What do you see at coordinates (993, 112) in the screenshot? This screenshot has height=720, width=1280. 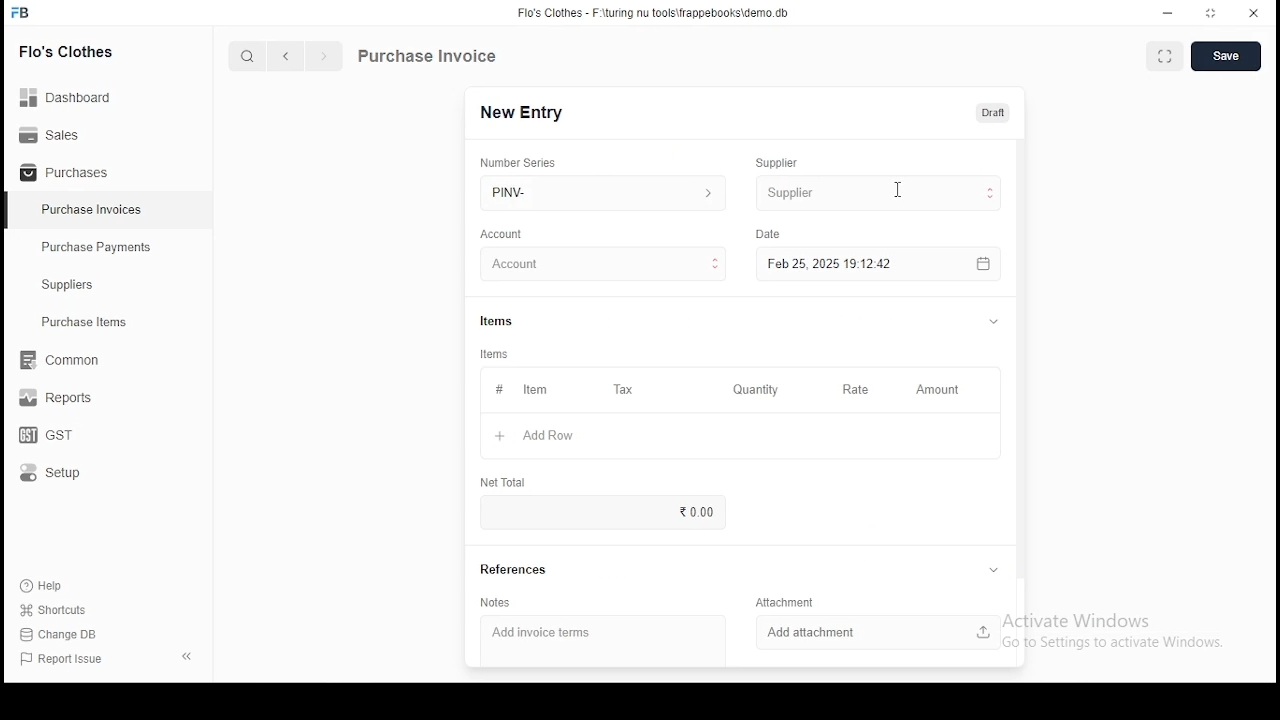 I see `draft` at bounding box center [993, 112].